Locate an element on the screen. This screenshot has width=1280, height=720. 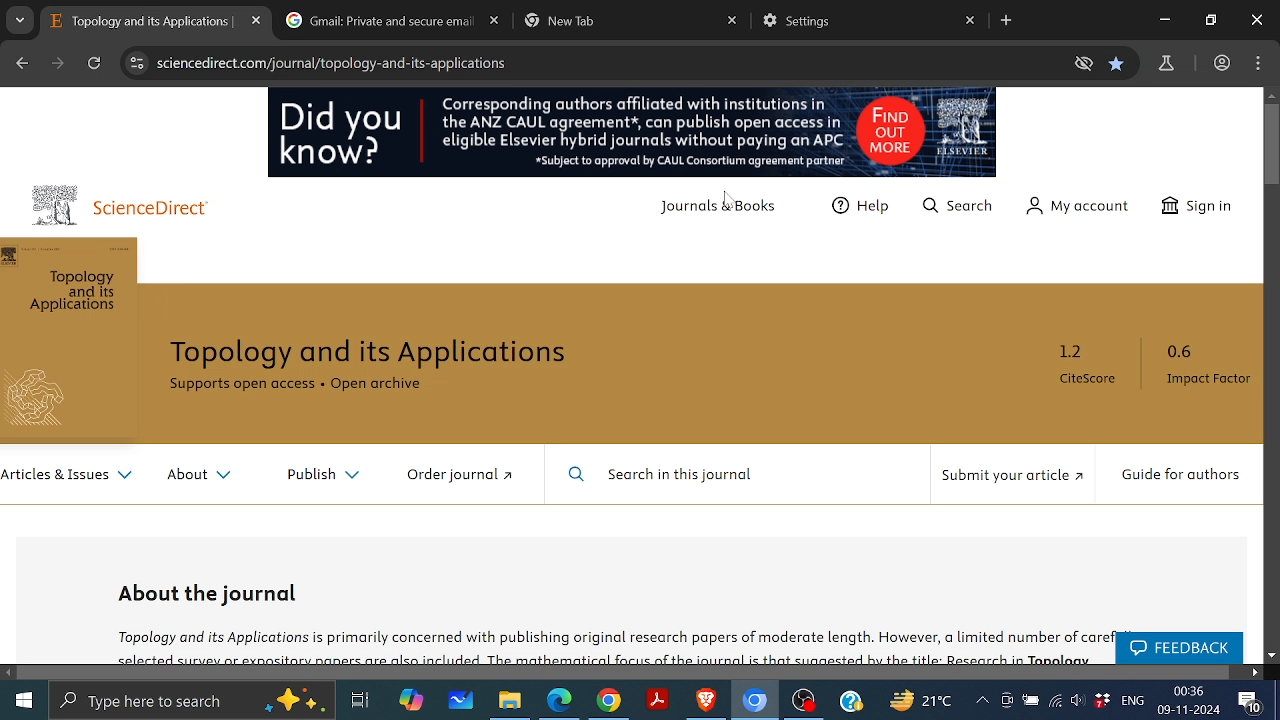
‘Submit your article is located at coordinates (1010, 476).